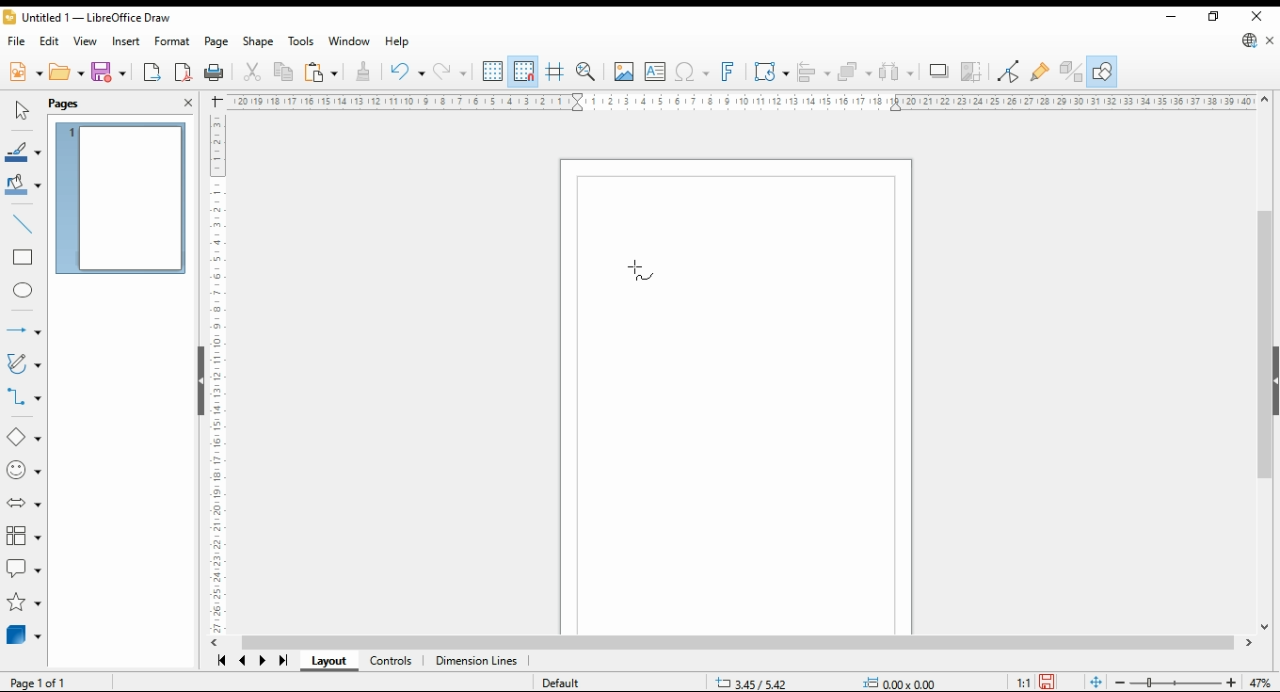 Image resolution: width=1280 pixels, height=692 pixels. What do you see at coordinates (23, 183) in the screenshot?
I see `fill color` at bounding box center [23, 183].